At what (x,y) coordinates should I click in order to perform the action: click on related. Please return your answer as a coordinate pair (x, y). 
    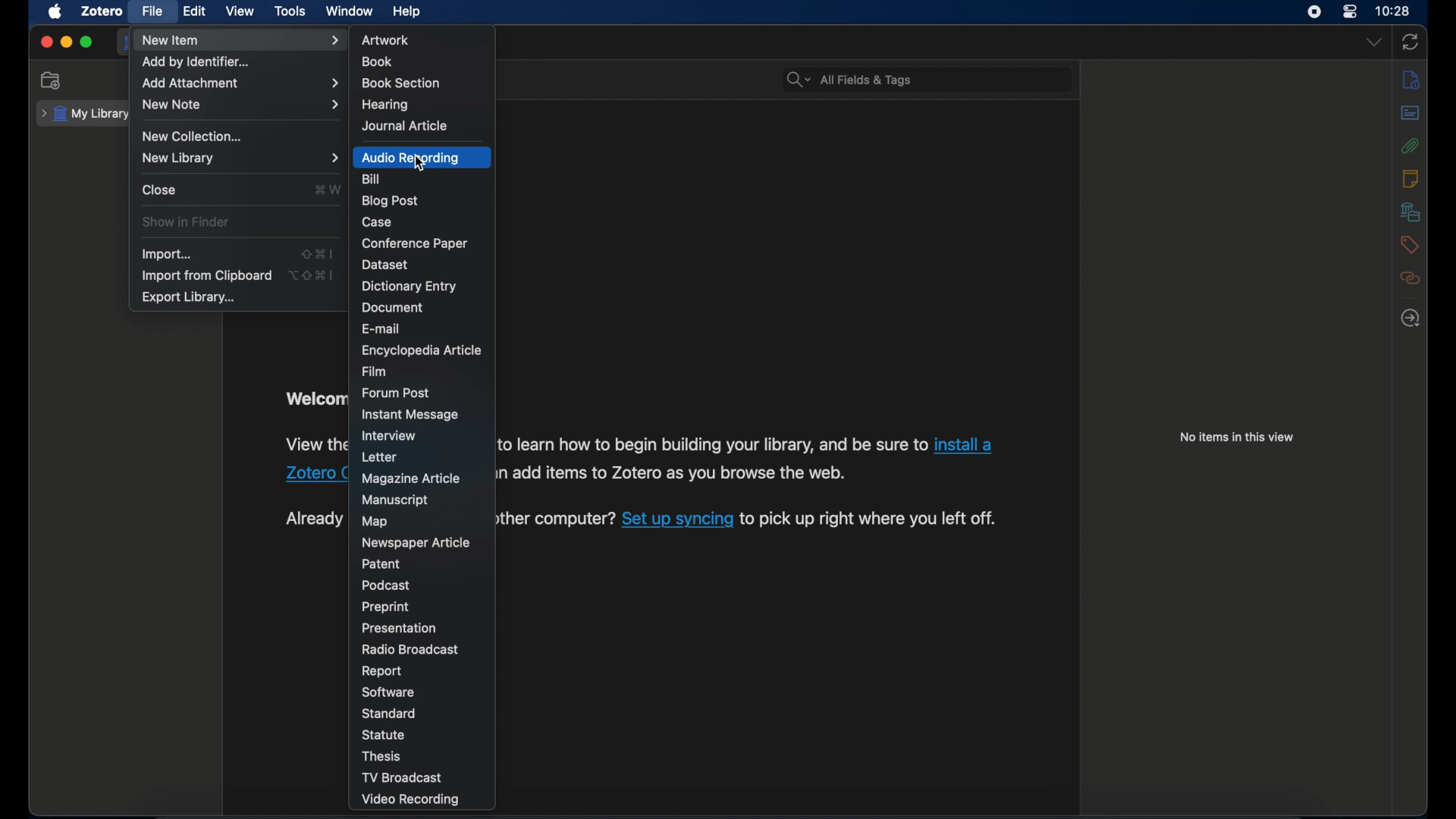
    Looking at the image, I should click on (1411, 278).